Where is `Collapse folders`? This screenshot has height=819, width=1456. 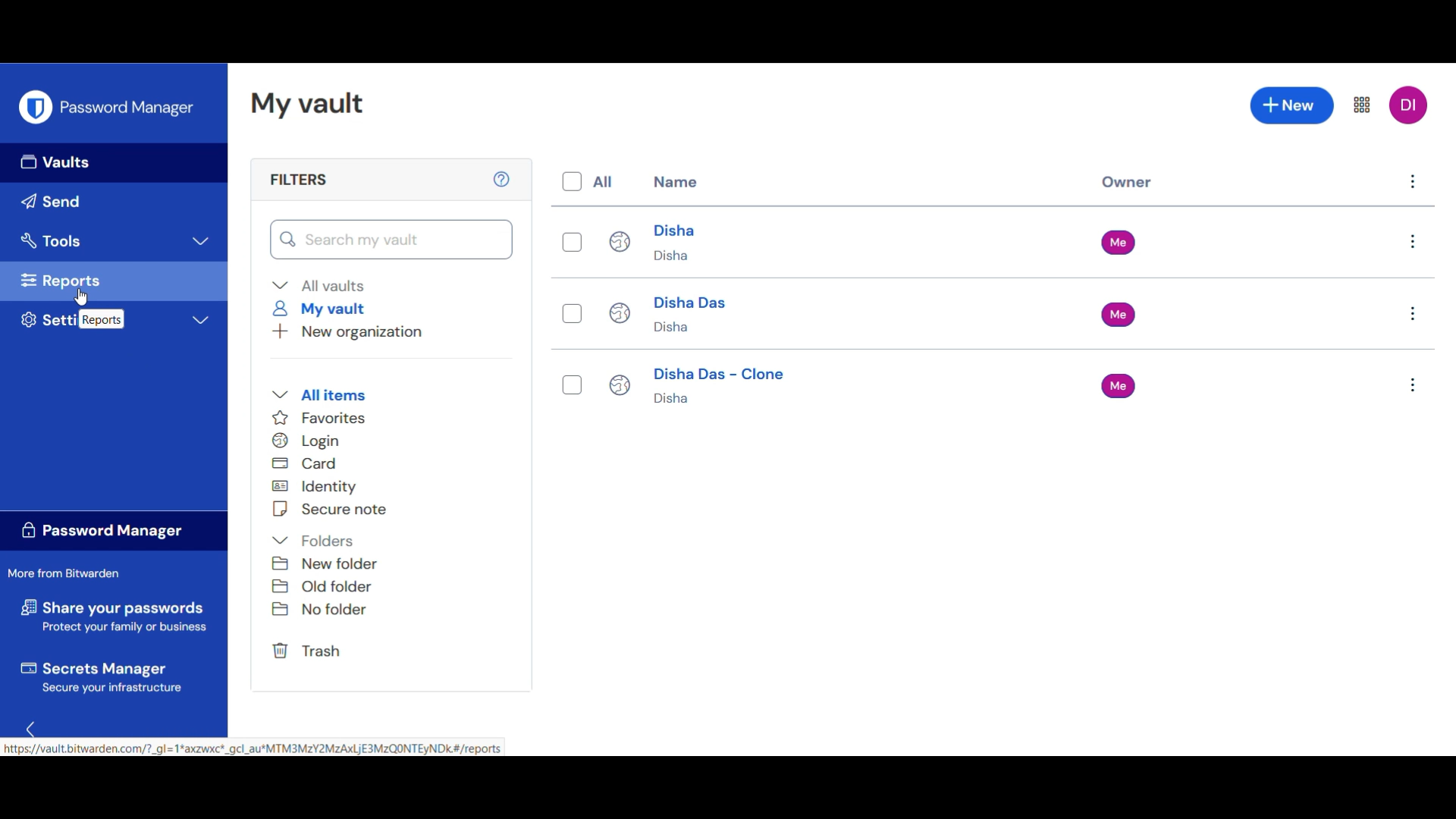 Collapse folders is located at coordinates (313, 541).